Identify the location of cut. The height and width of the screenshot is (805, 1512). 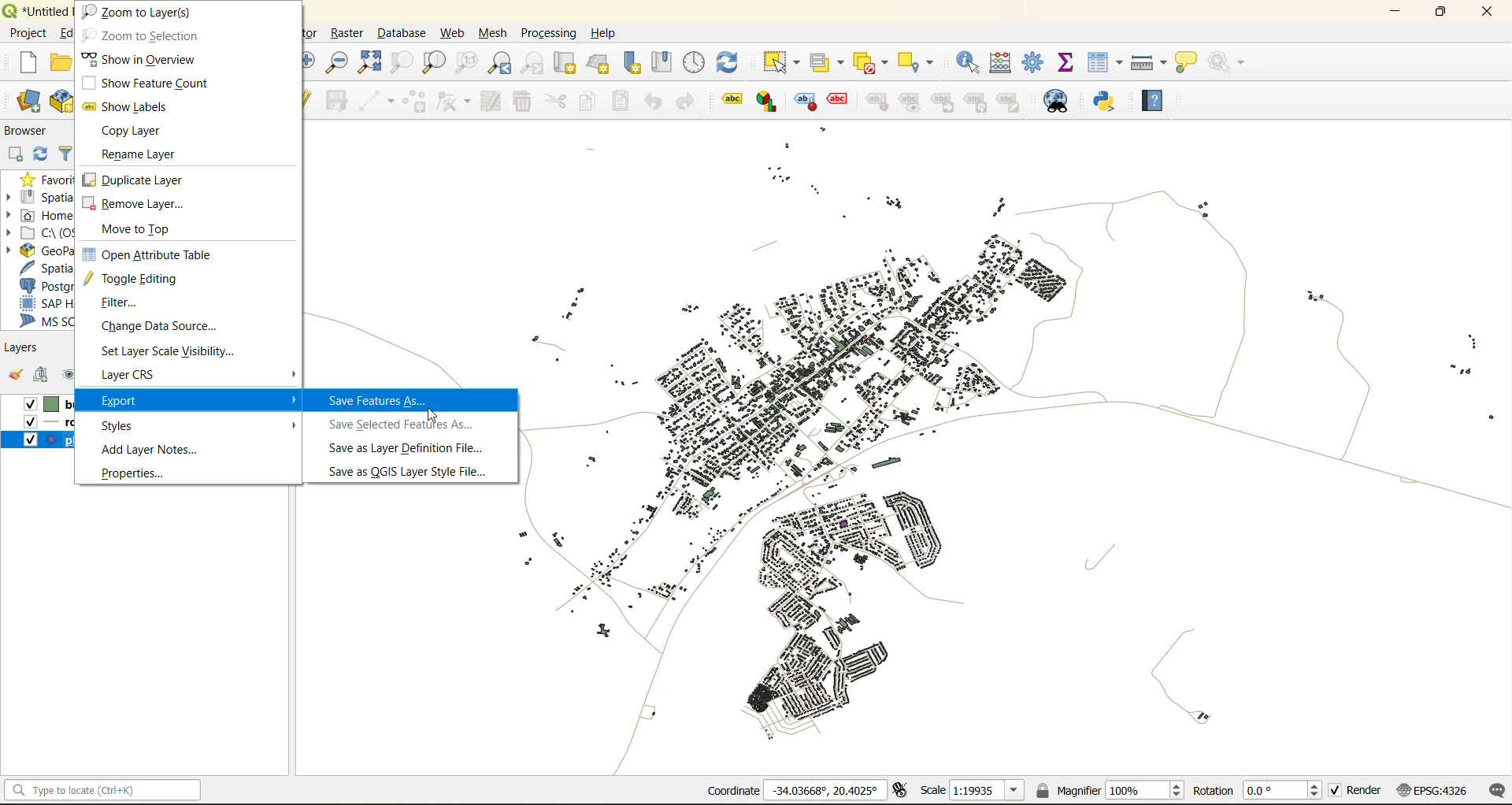
(557, 101).